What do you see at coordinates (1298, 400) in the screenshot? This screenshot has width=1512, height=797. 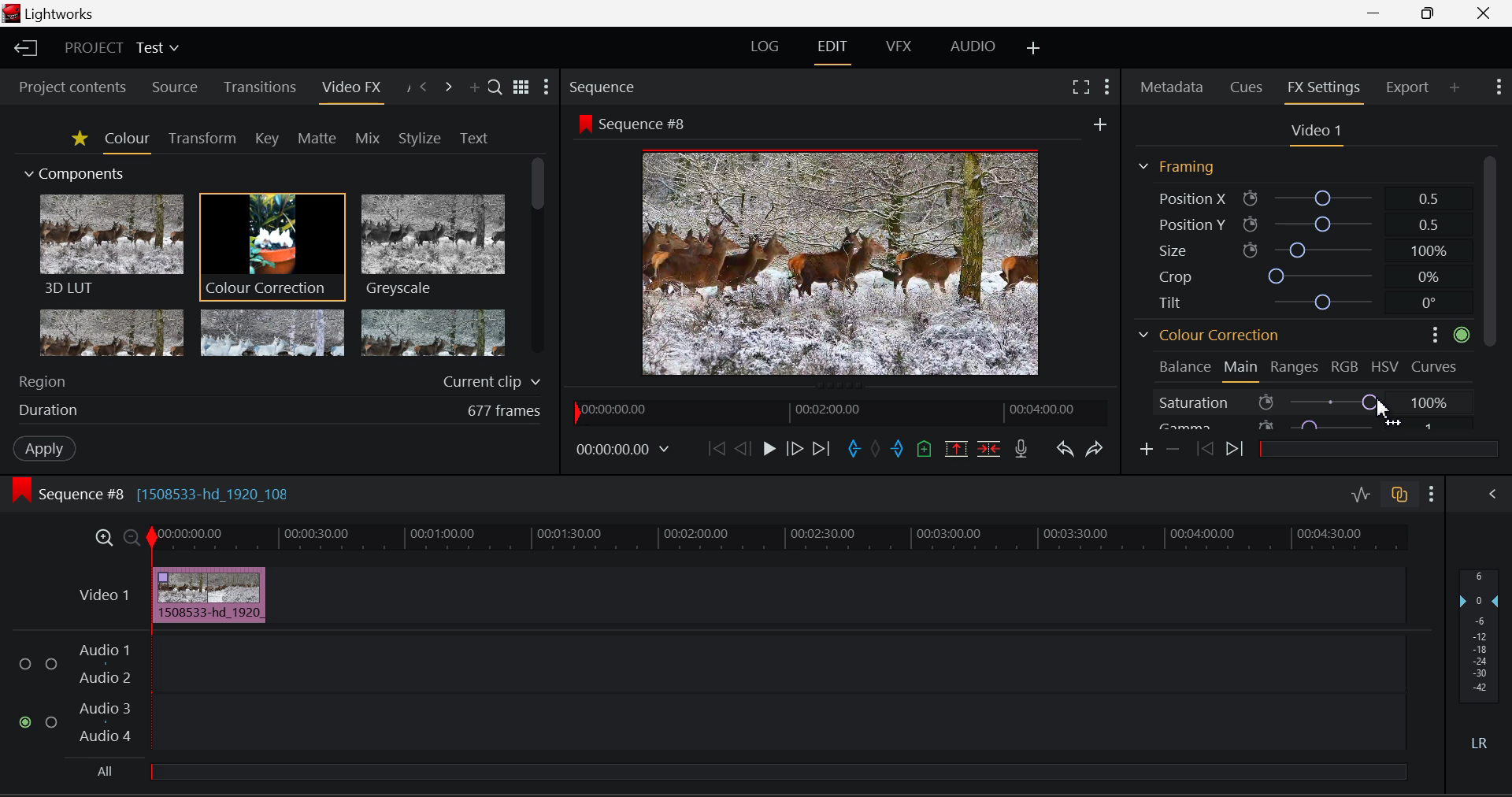 I see `Saturation` at bounding box center [1298, 400].